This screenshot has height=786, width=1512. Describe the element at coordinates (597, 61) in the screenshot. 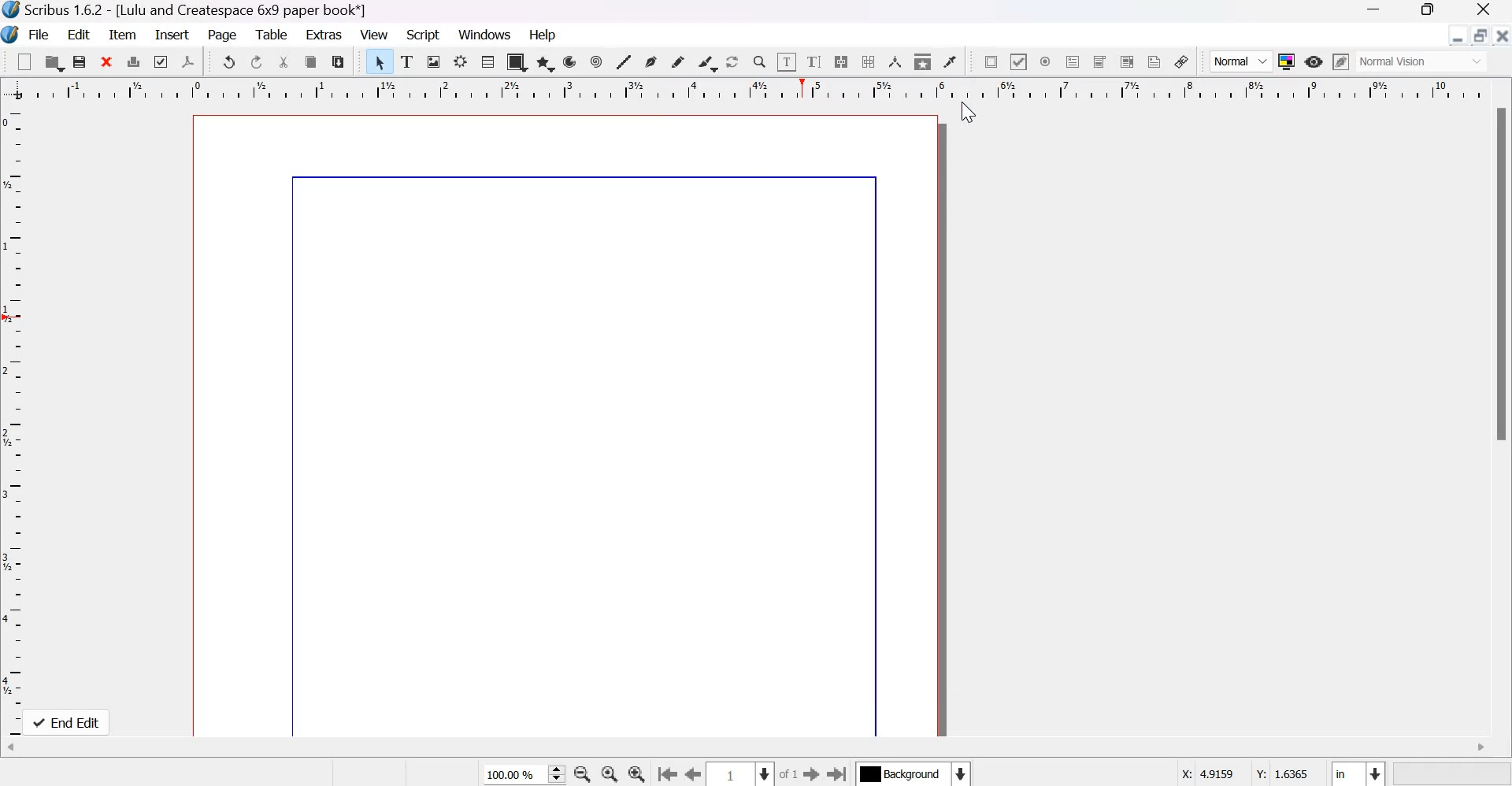

I see `spiral` at that location.